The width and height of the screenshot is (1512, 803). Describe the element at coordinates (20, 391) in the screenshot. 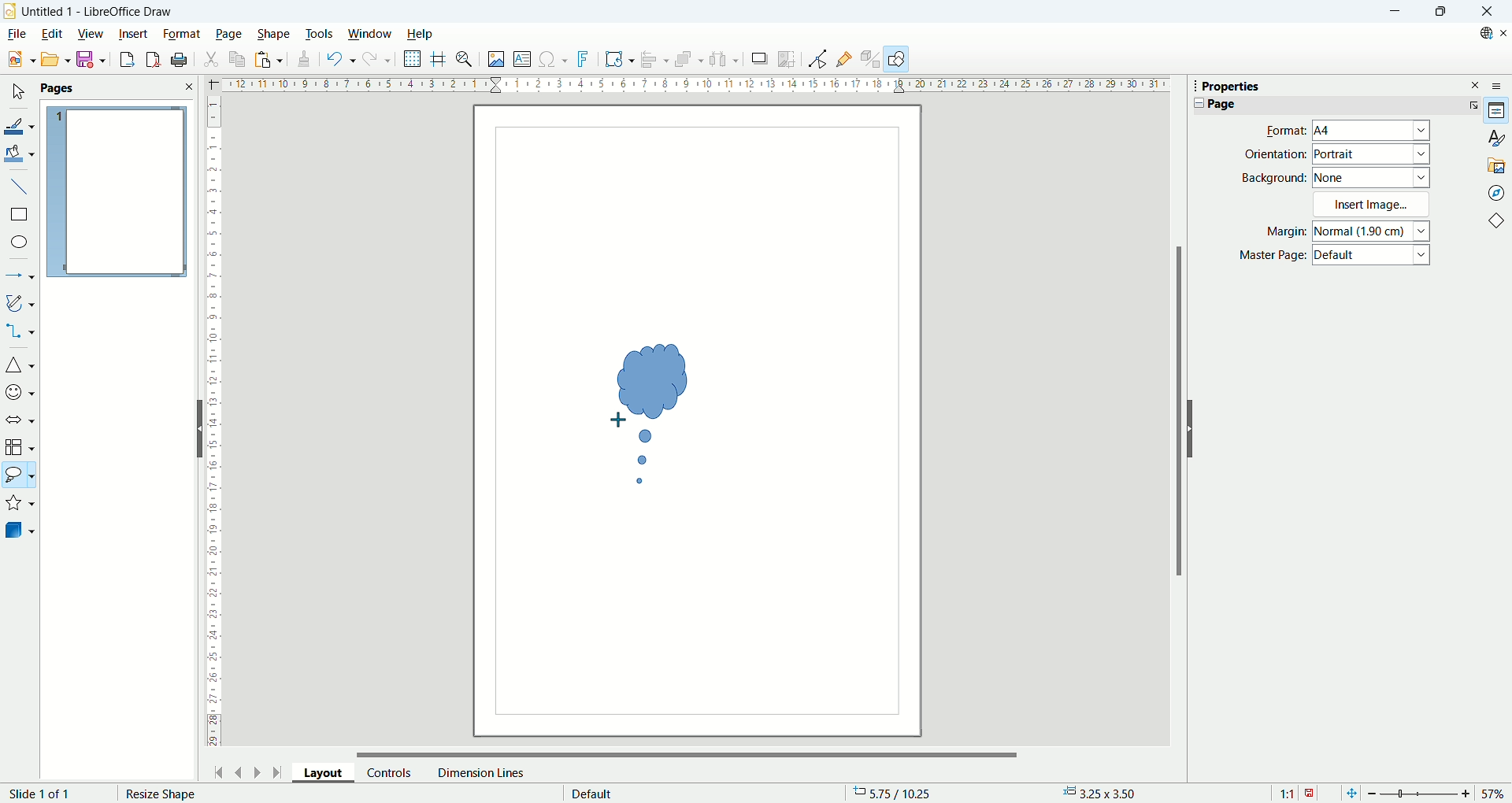

I see `symbol shapes` at that location.